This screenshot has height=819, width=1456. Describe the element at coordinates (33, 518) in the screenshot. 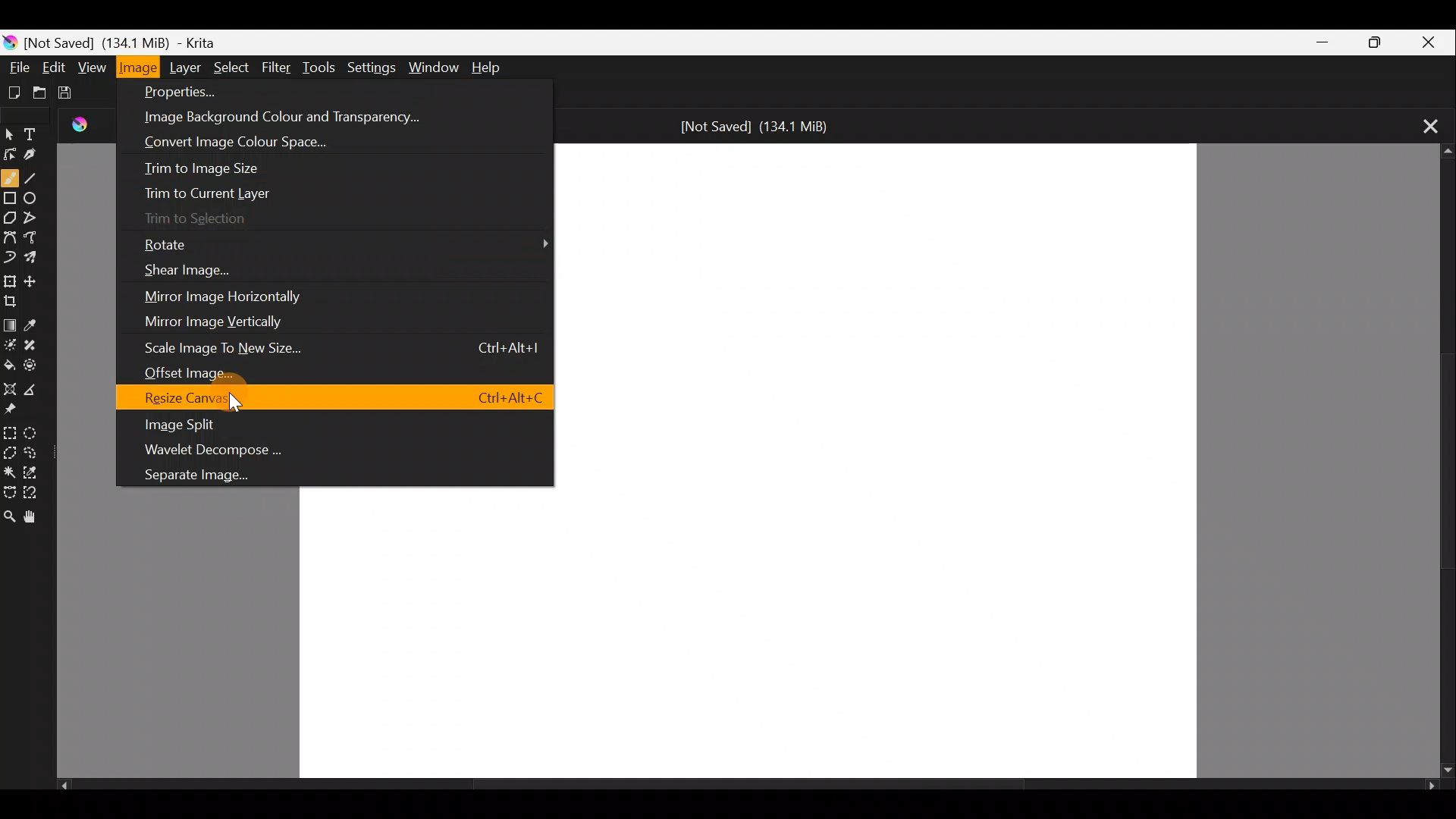

I see `Pan tool` at that location.